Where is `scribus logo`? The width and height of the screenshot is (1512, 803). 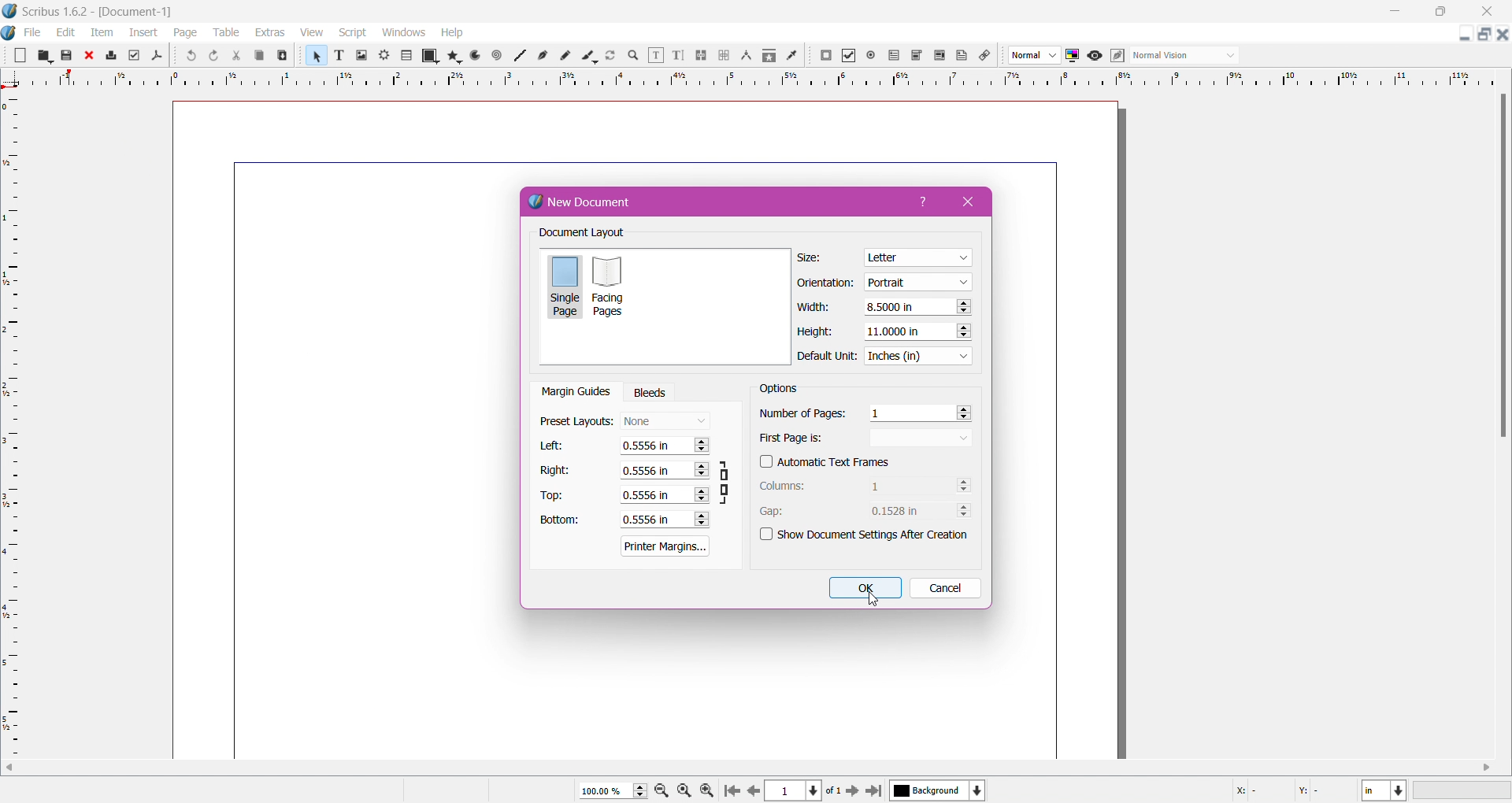 scribus logo is located at coordinates (9, 34).